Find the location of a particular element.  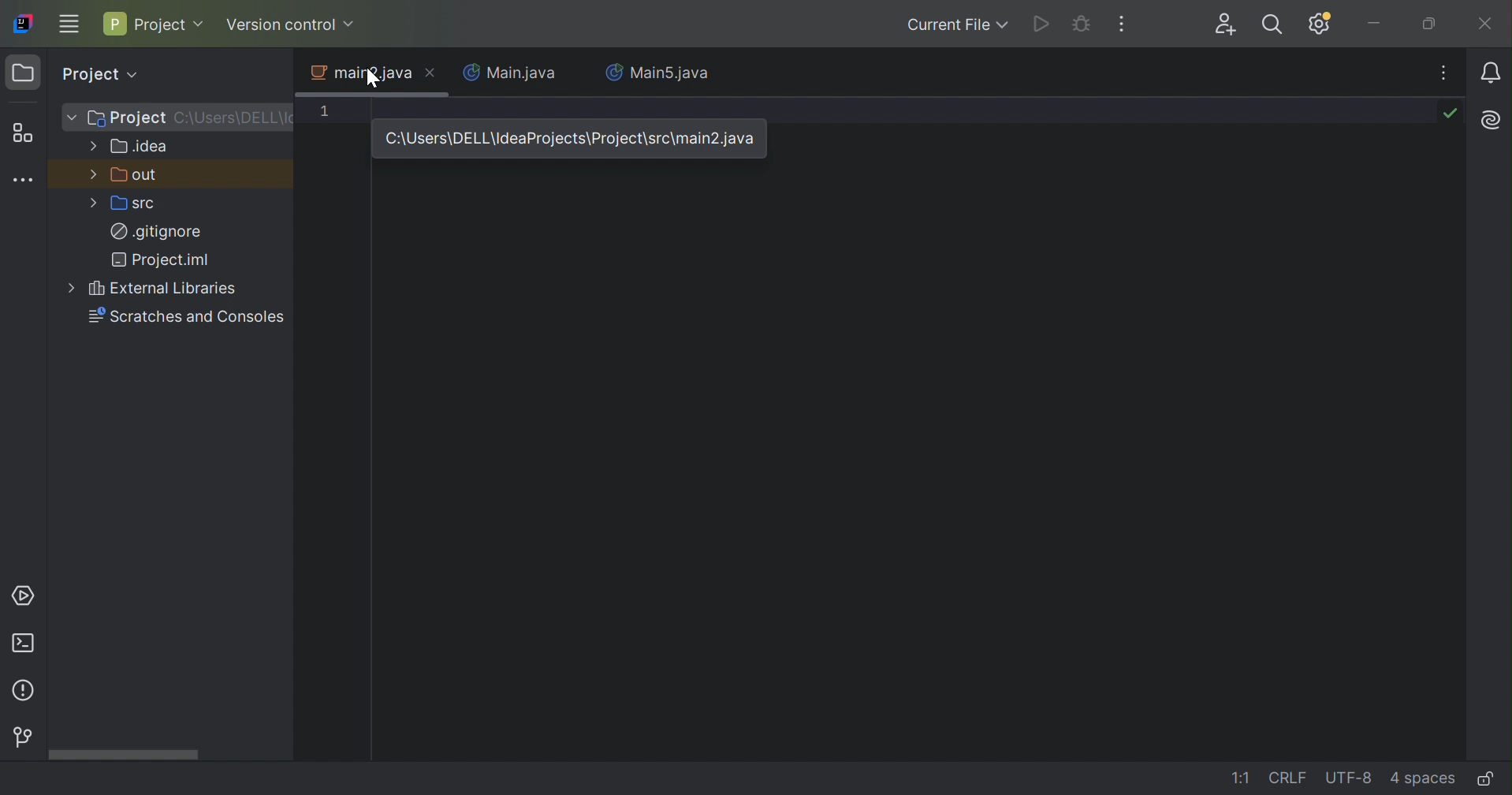

Make file read-only is located at coordinates (1491, 779).